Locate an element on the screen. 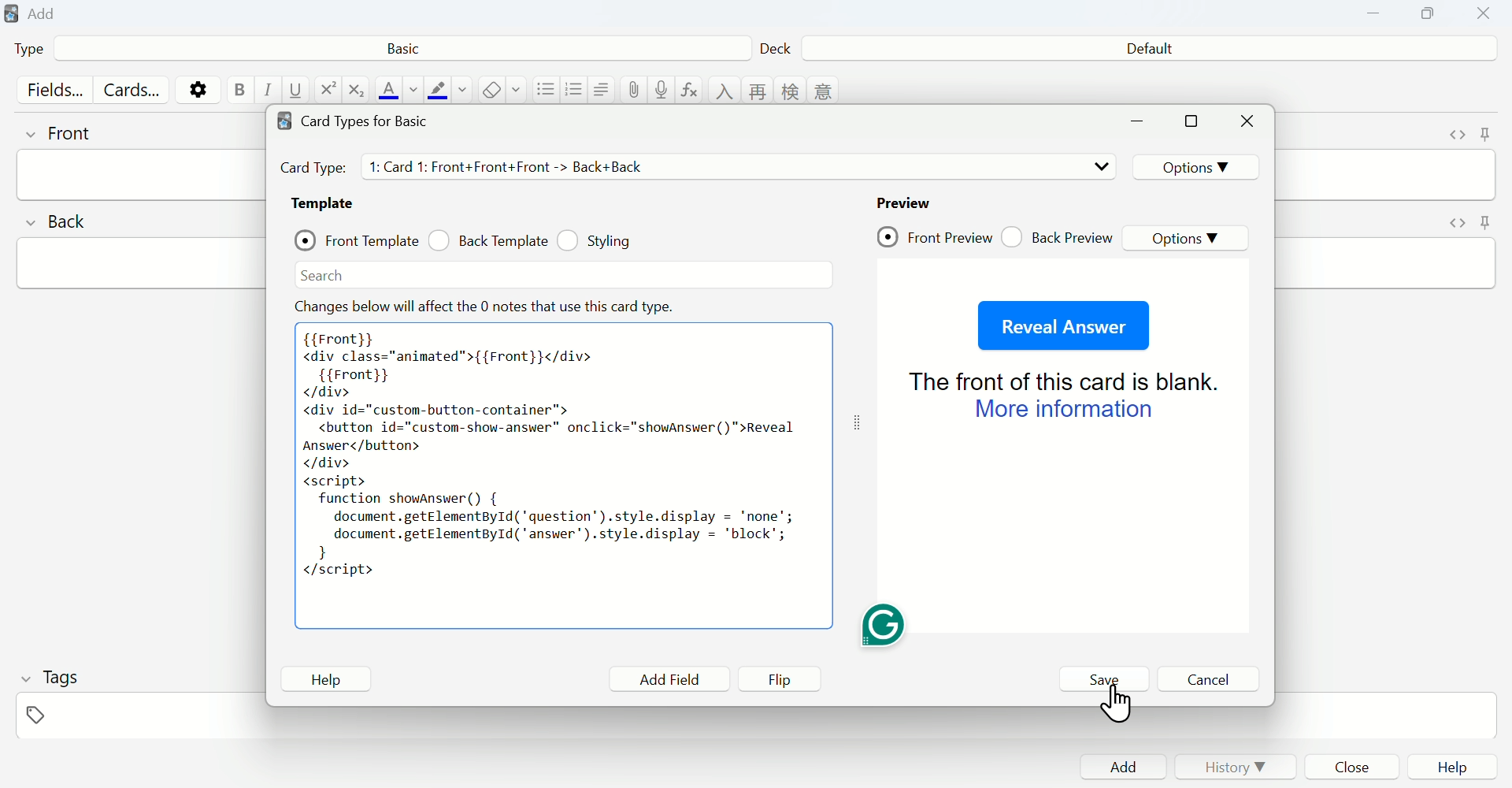 The width and height of the screenshot is (1512, 788). language is located at coordinates (824, 90).